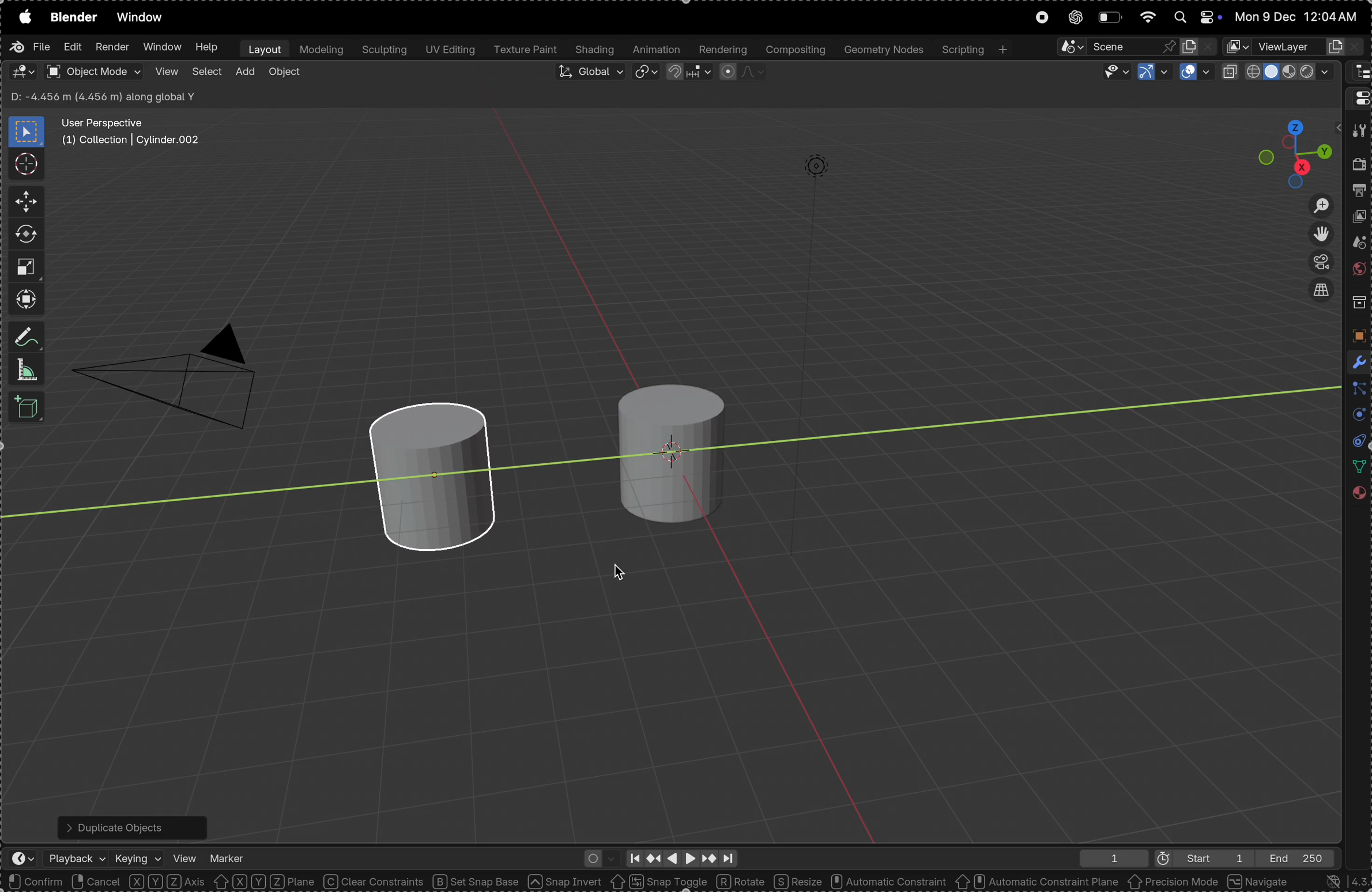 The image size is (1372, 892). Describe the element at coordinates (1280, 72) in the screenshot. I see `view point shading` at that location.